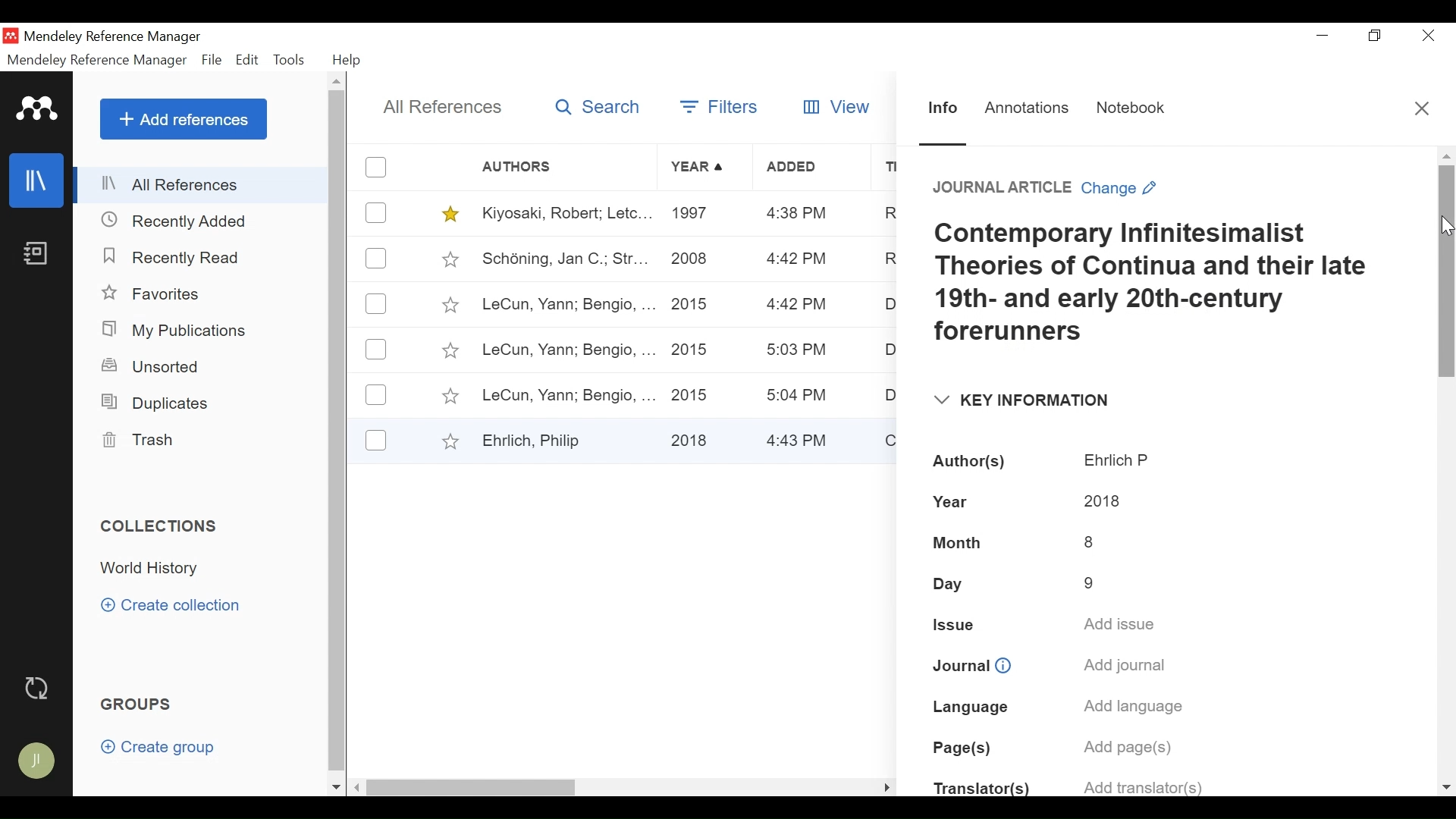  I want to click on (un)select, so click(376, 350).